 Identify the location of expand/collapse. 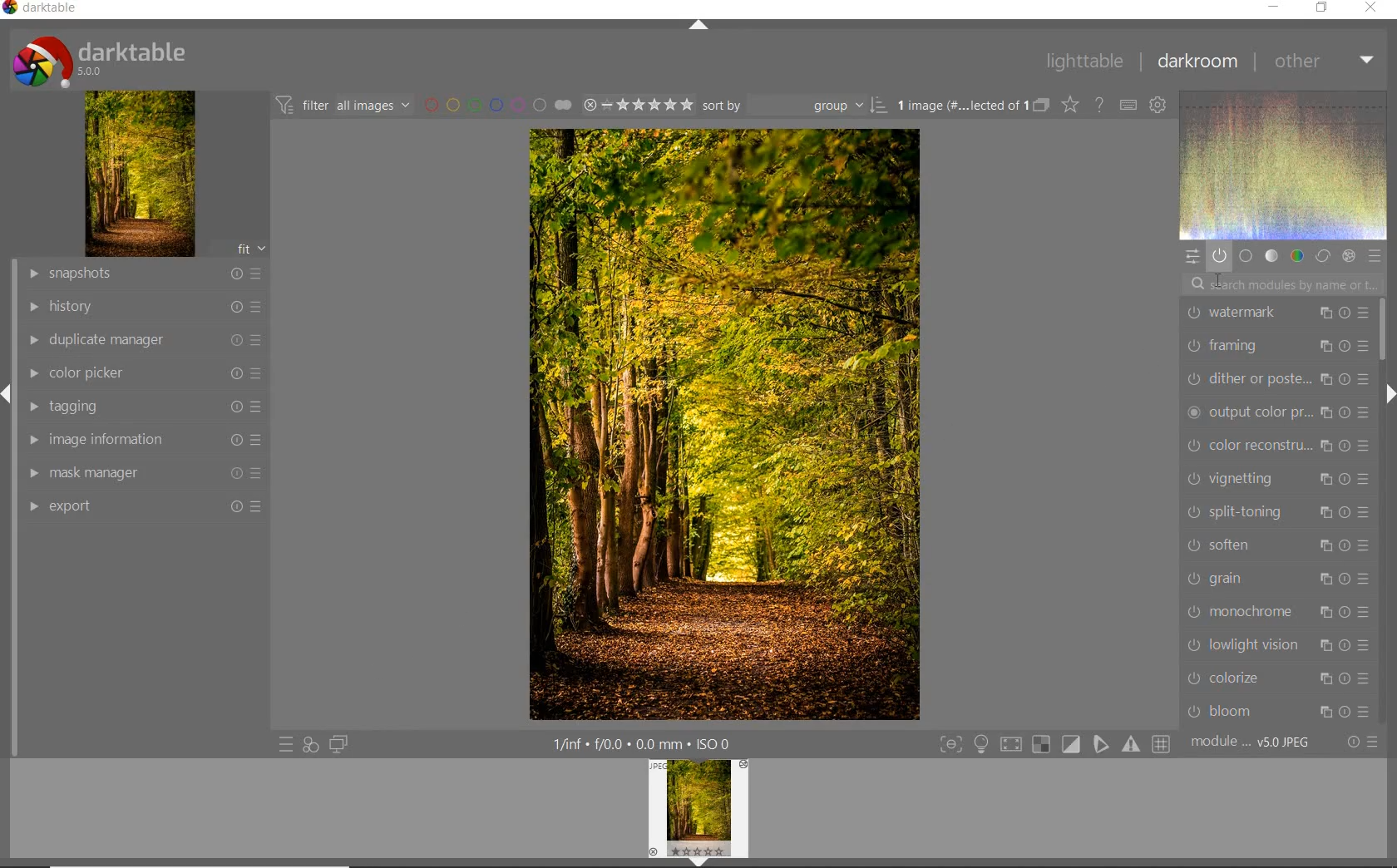
(1386, 394).